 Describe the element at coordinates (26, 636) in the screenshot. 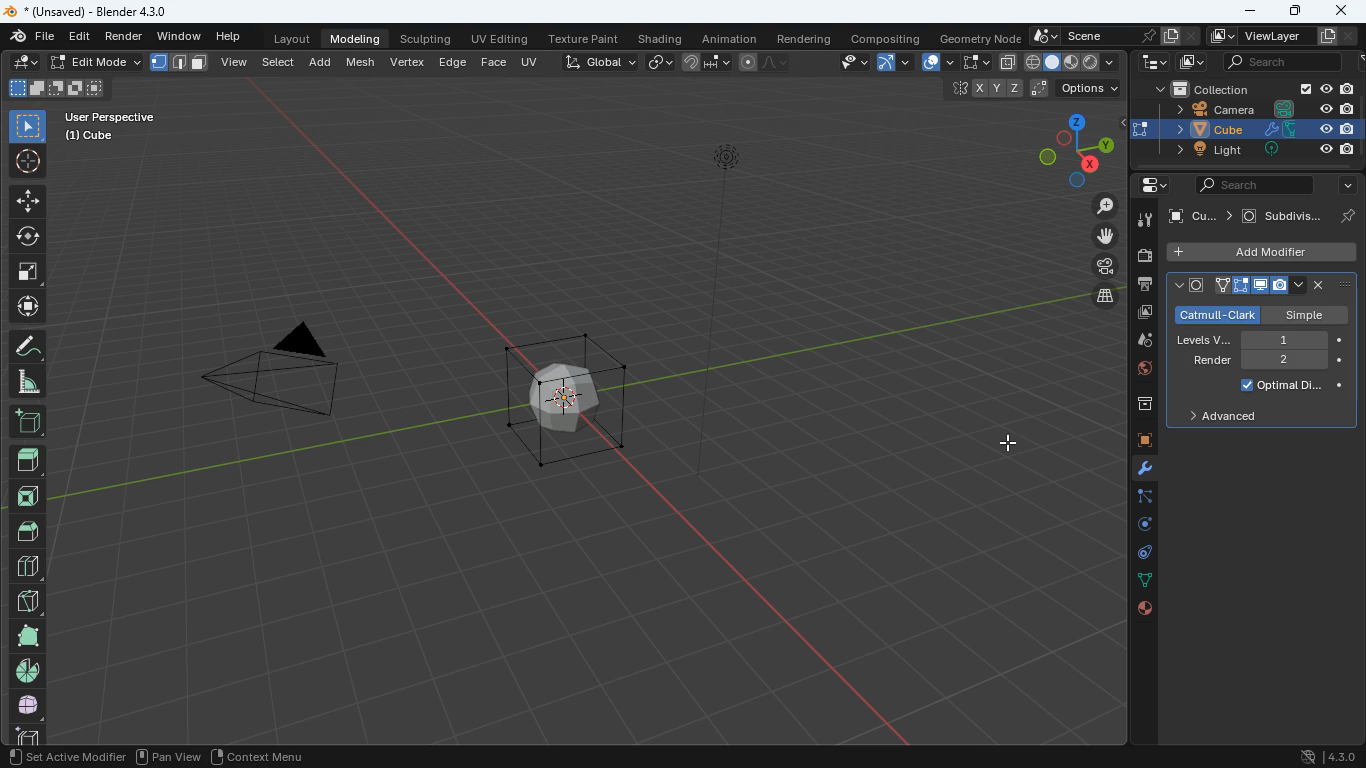

I see `full` at that location.